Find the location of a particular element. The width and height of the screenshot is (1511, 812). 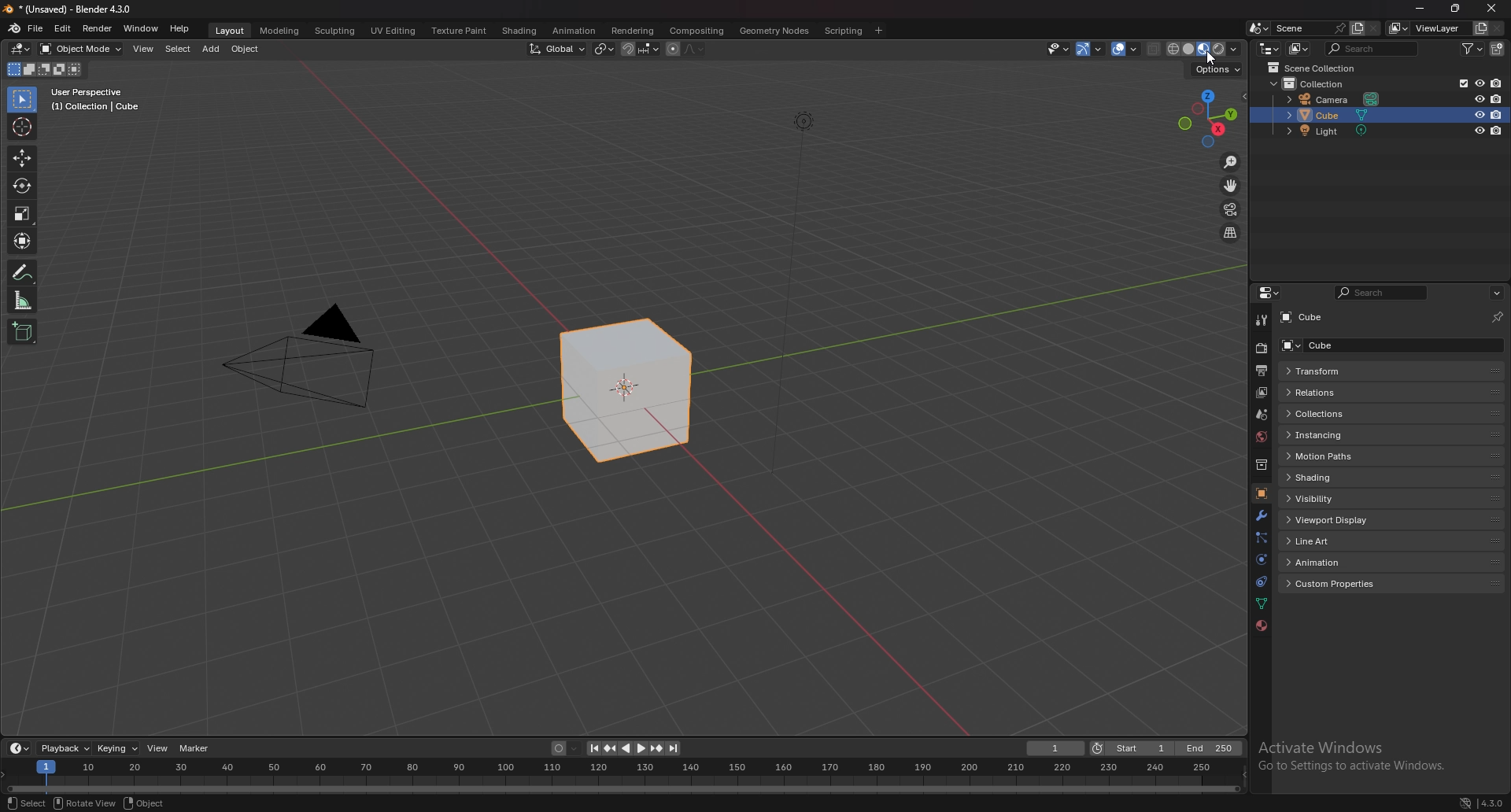

window is located at coordinates (140, 28).